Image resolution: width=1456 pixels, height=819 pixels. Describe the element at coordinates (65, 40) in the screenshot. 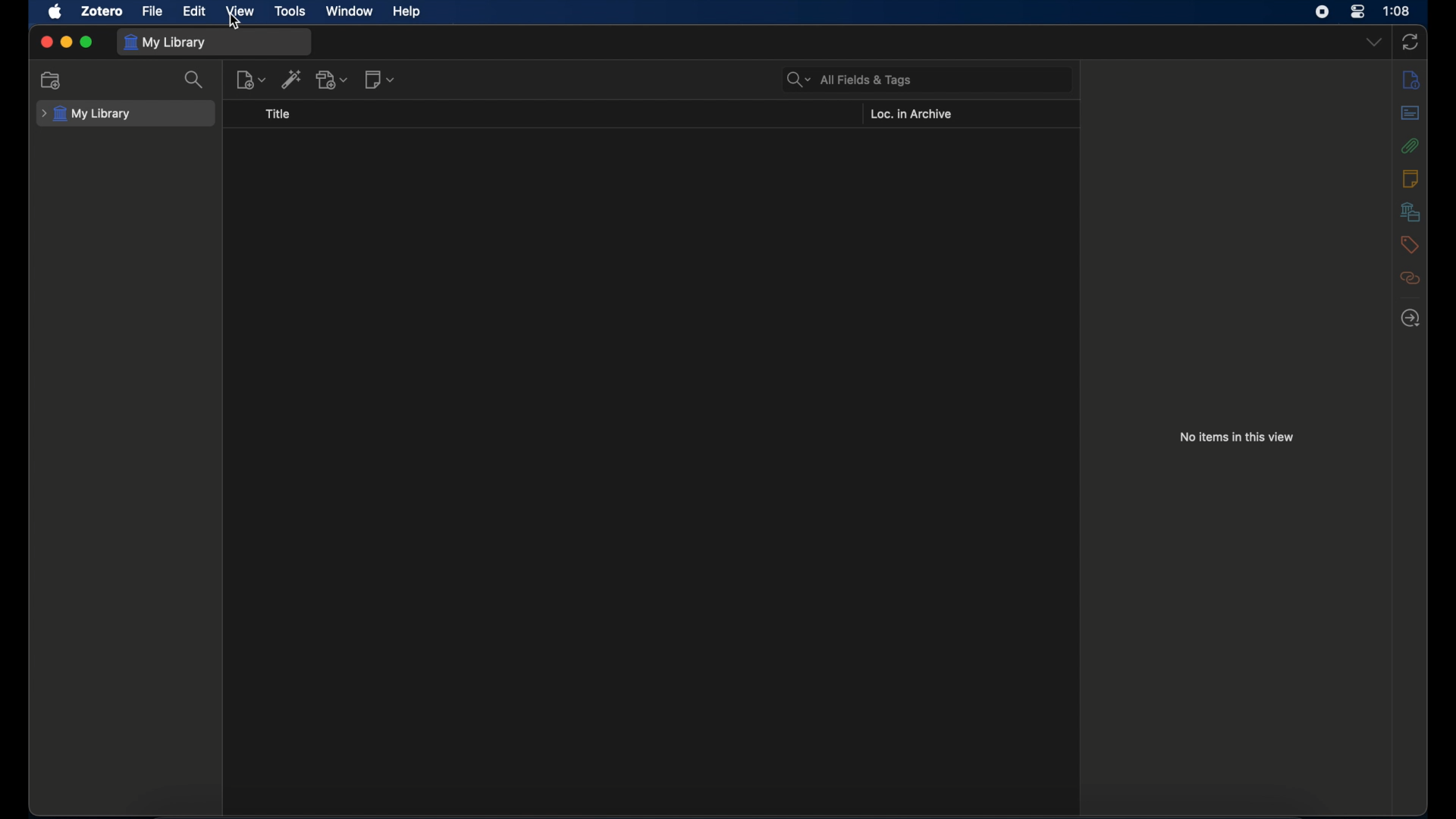

I see `minimize` at that location.